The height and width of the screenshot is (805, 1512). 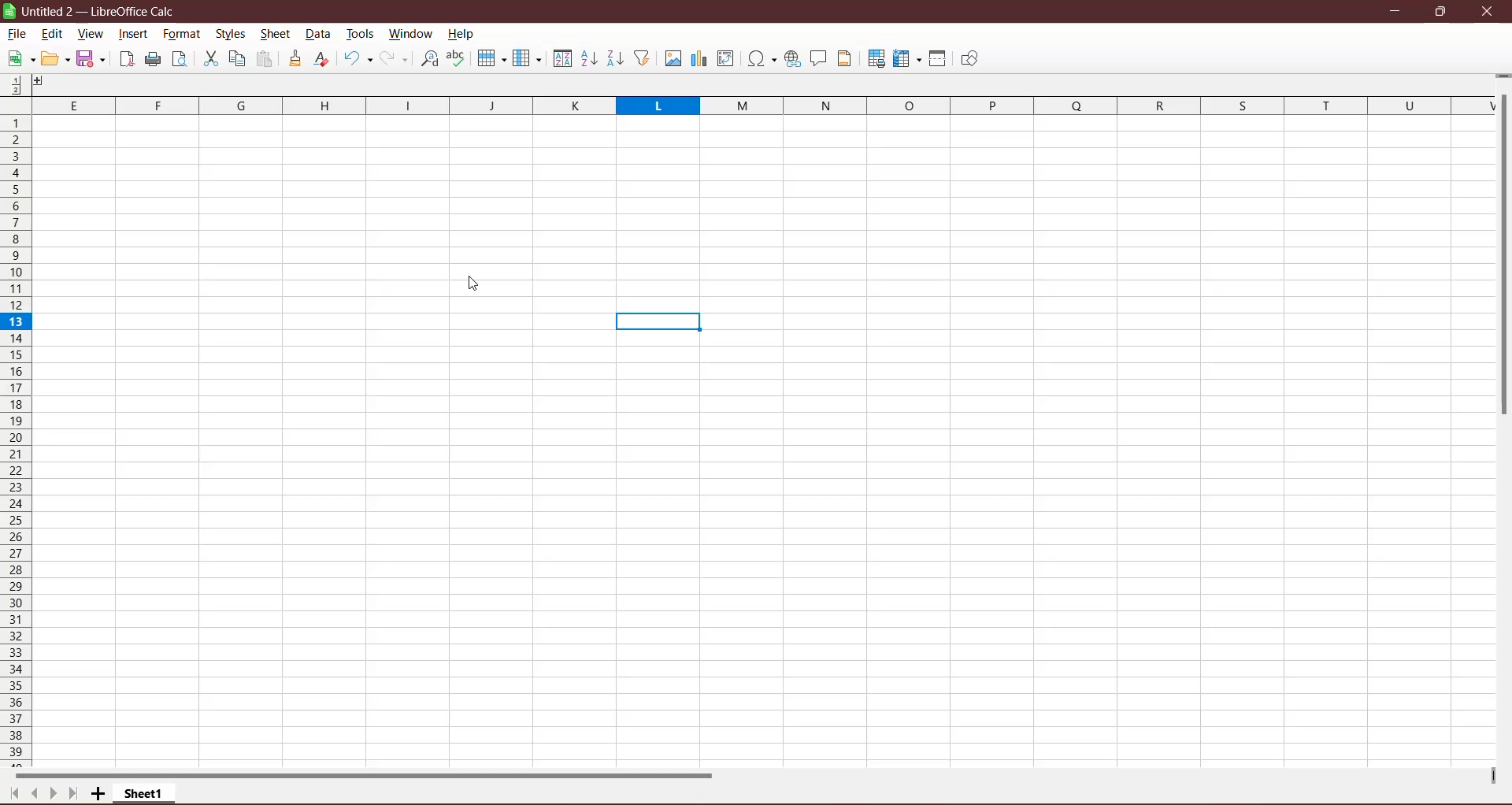 What do you see at coordinates (969, 59) in the screenshot?
I see `Show Draw Functions` at bounding box center [969, 59].